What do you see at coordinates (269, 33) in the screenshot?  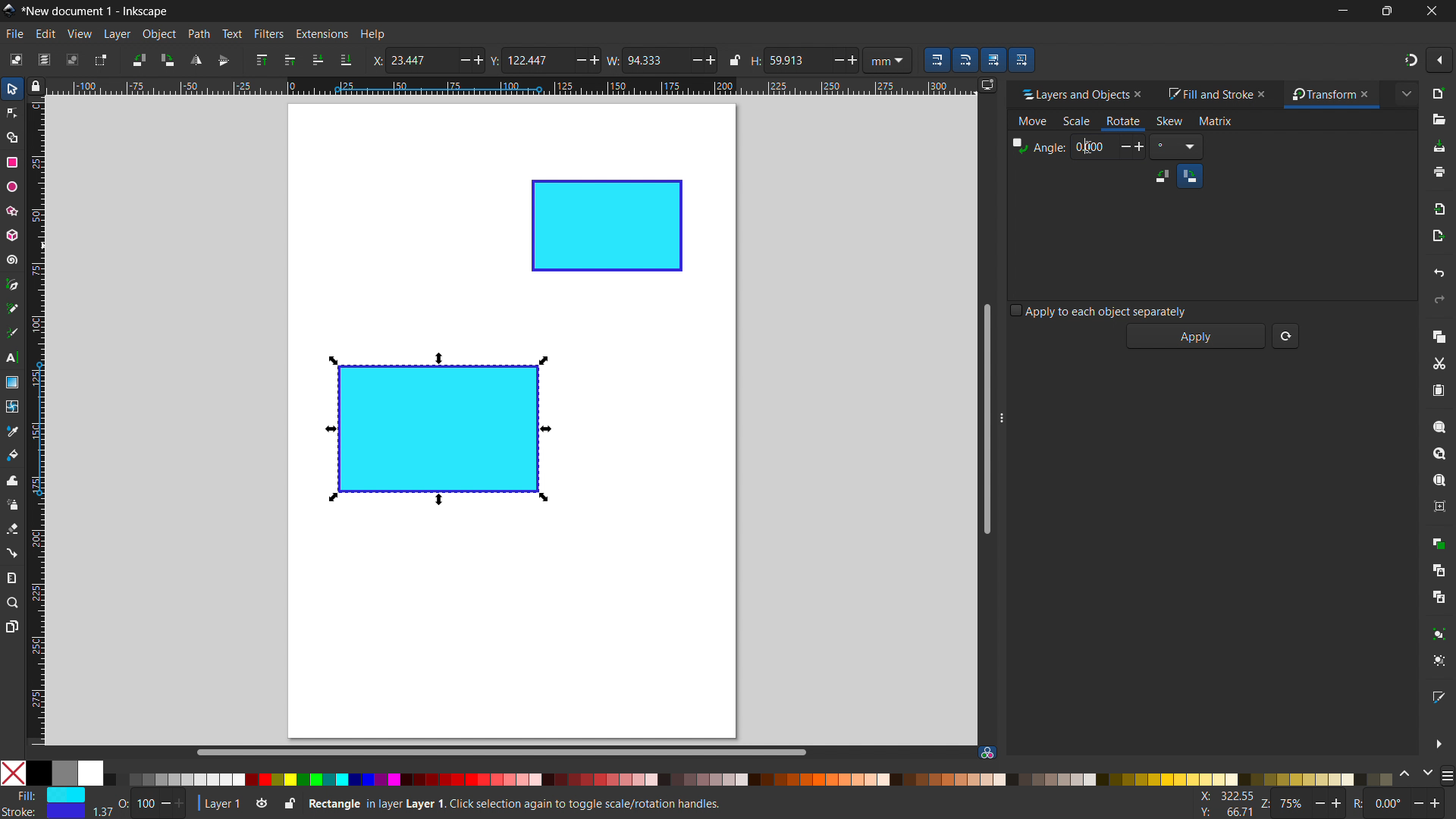 I see `filters` at bounding box center [269, 33].